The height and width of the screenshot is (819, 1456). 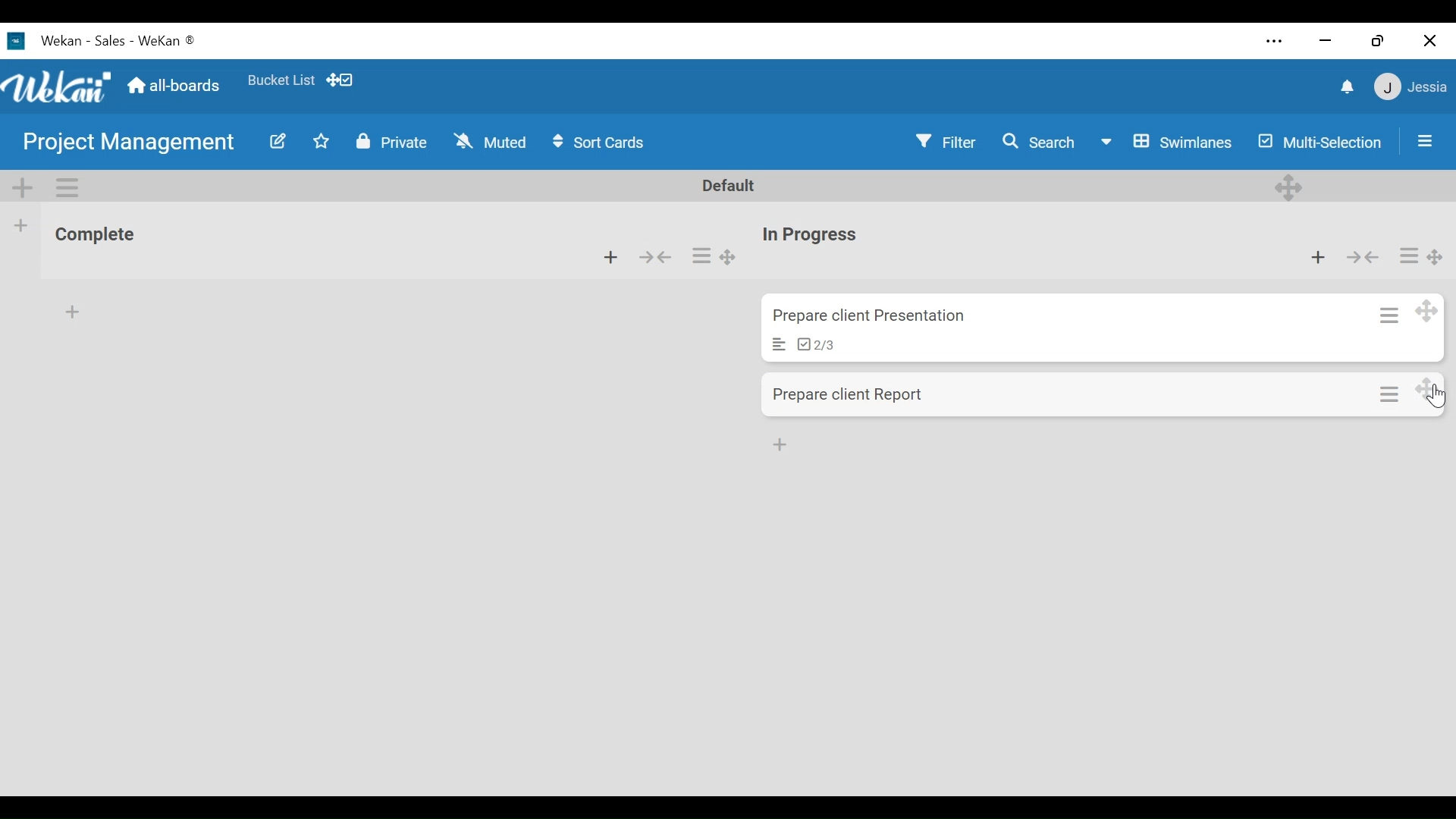 I want to click on Sort cards, so click(x=602, y=143).